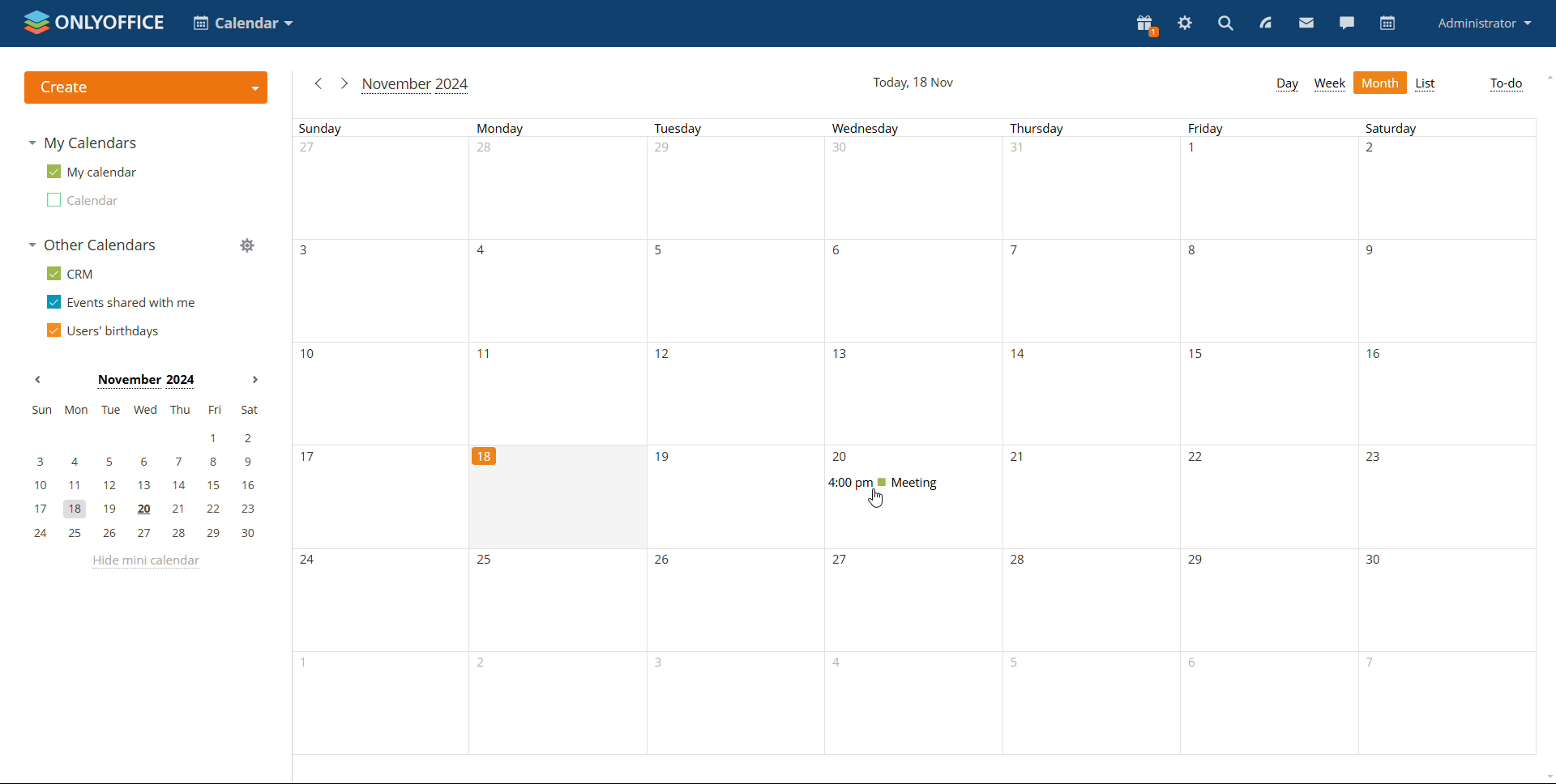 Image resolution: width=1556 pixels, height=784 pixels. What do you see at coordinates (1483, 23) in the screenshot?
I see `profile` at bounding box center [1483, 23].